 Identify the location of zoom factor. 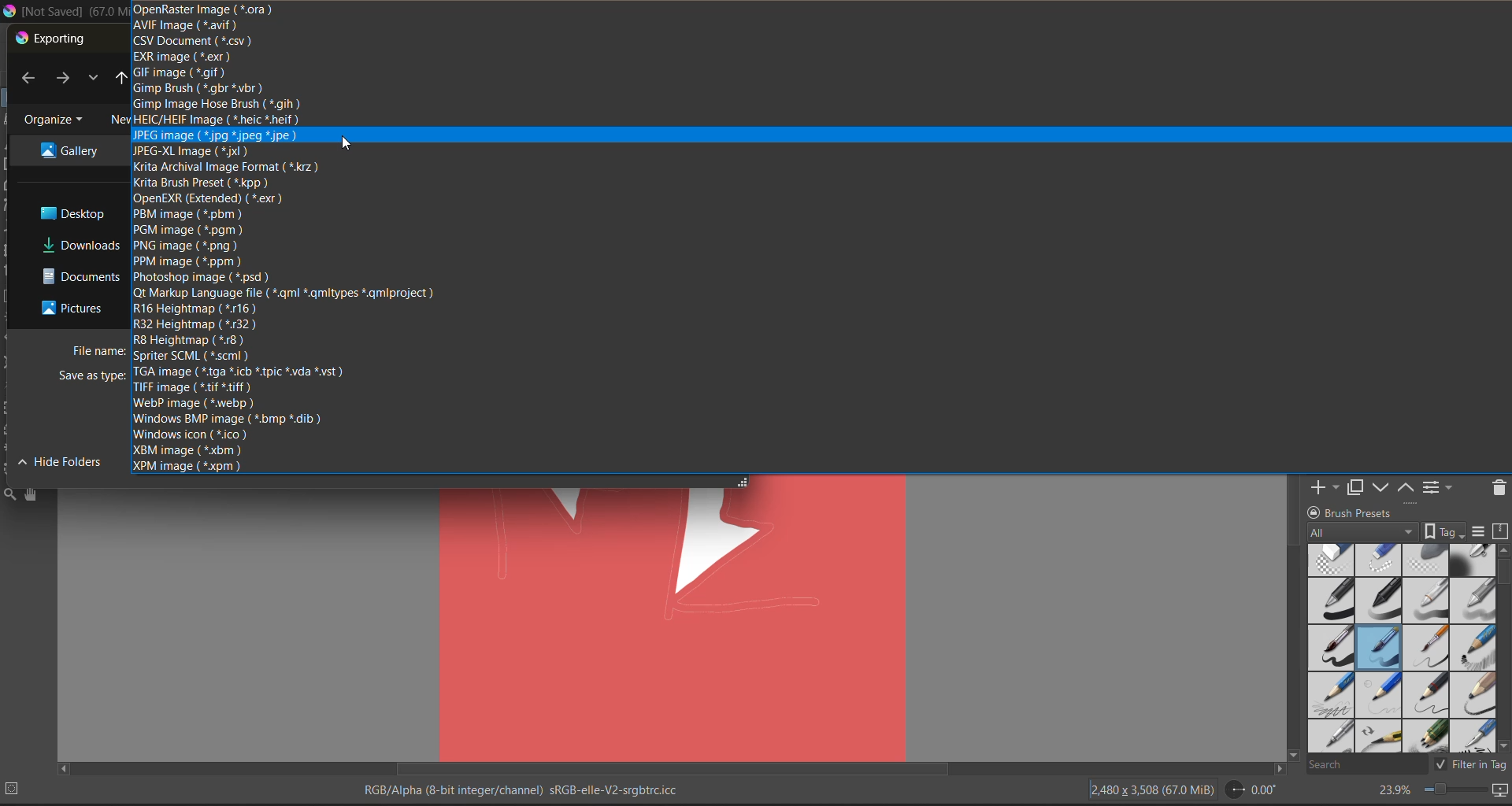
(1396, 790).